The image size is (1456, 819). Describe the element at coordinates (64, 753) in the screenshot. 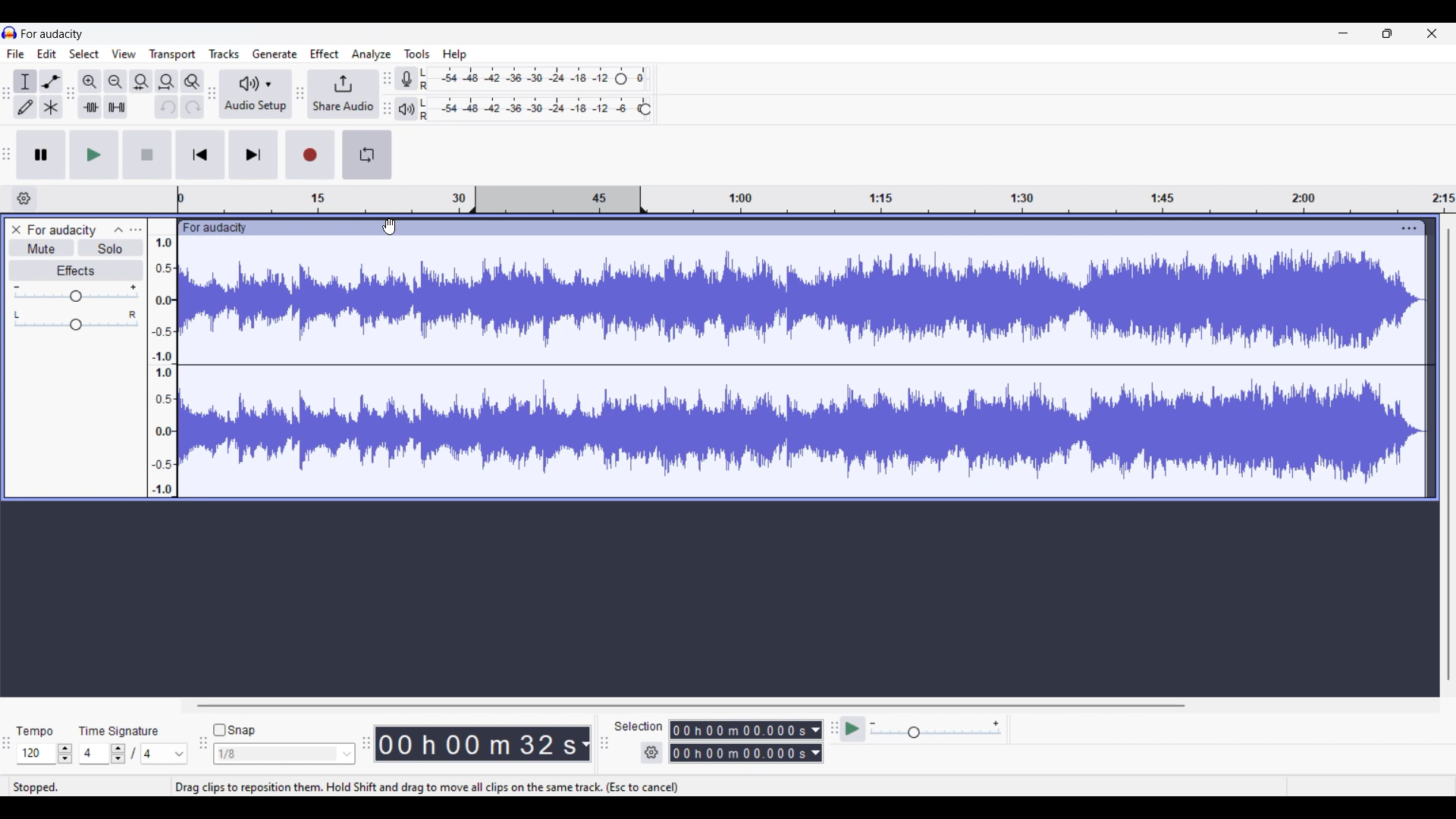

I see `Increase/Decrease tempo` at that location.